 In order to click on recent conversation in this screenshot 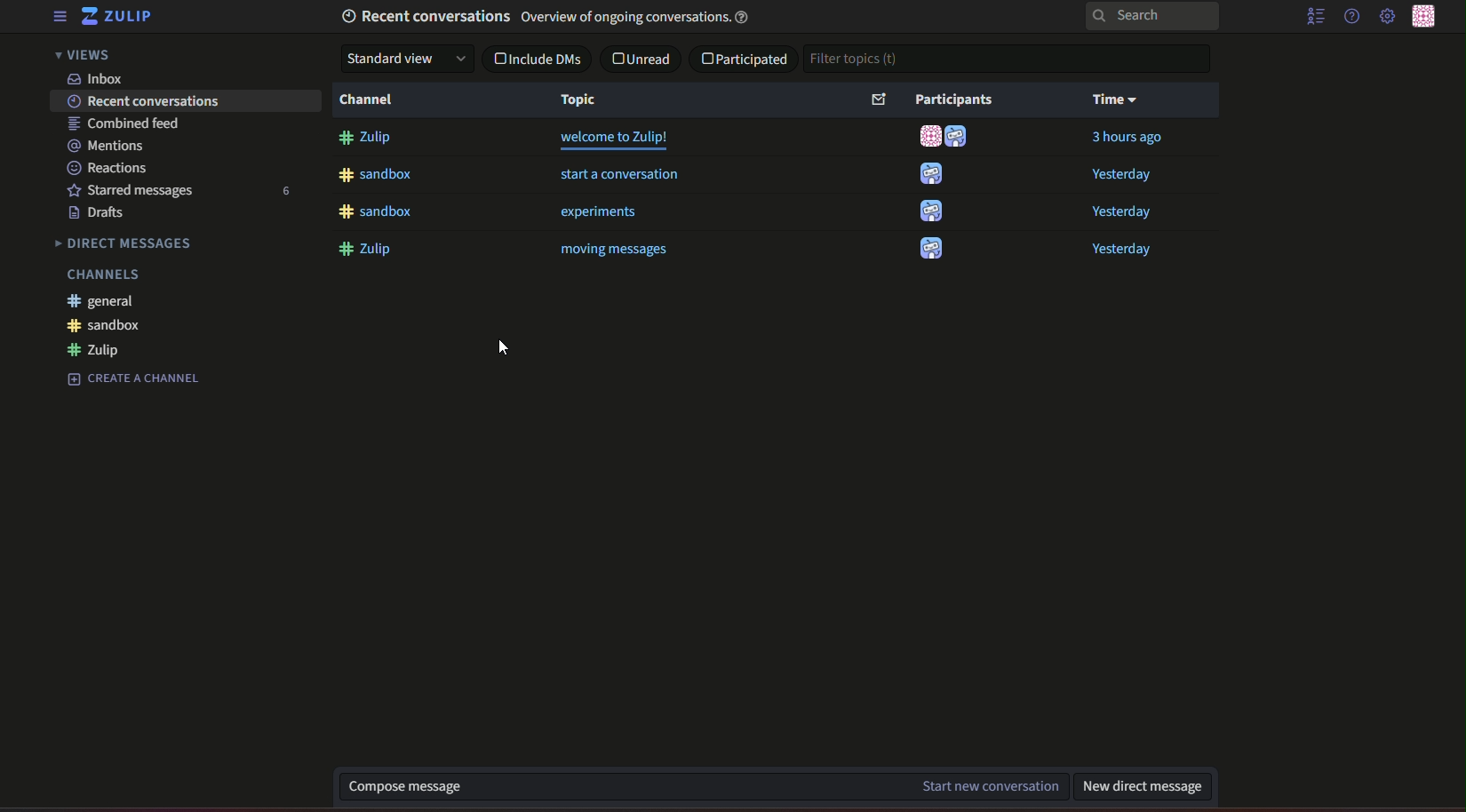, I will do `click(140, 102)`.